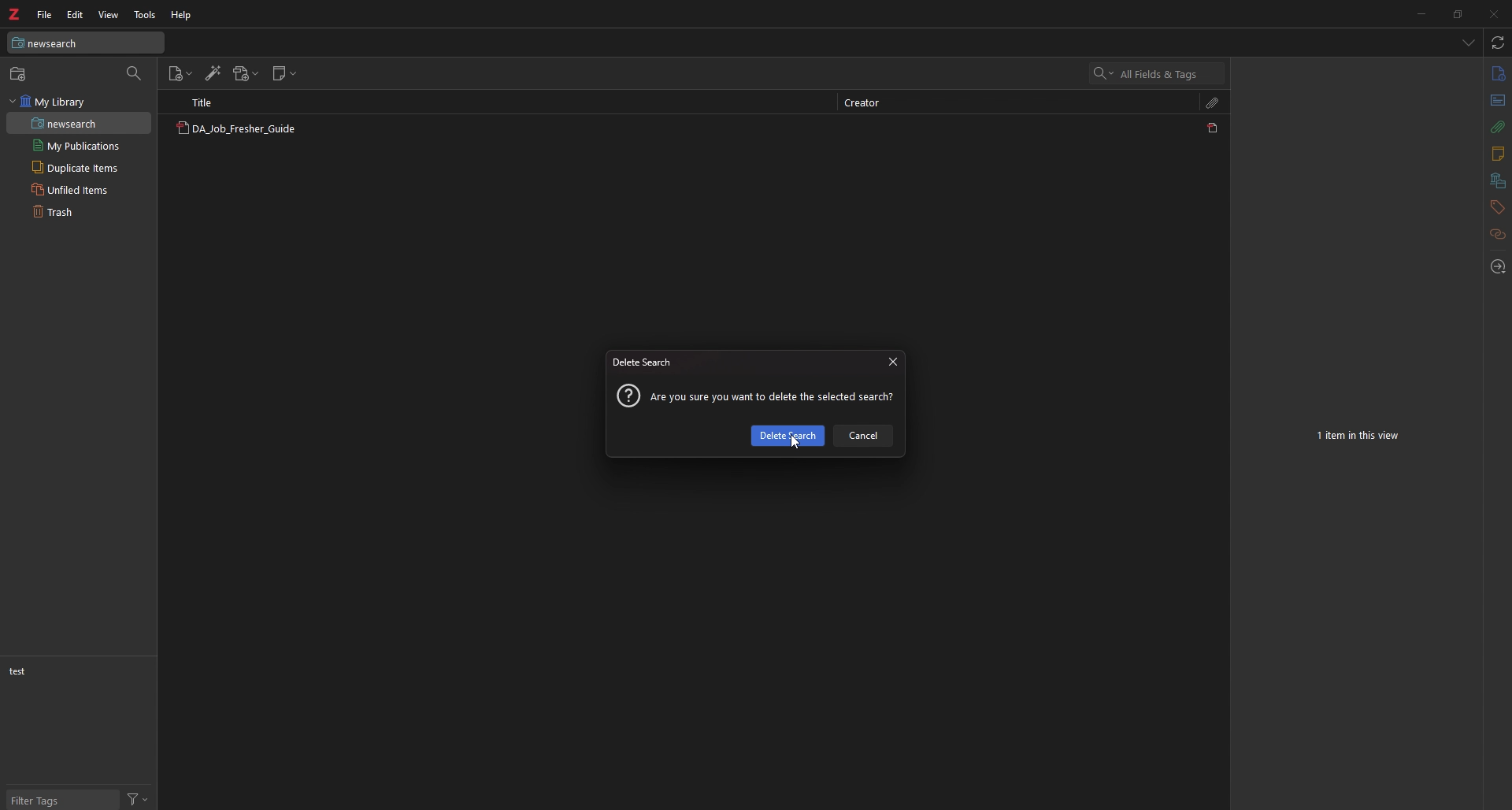 The width and height of the screenshot is (1512, 810). What do you see at coordinates (76, 146) in the screenshot?
I see `My Publications` at bounding box center [76, 146].